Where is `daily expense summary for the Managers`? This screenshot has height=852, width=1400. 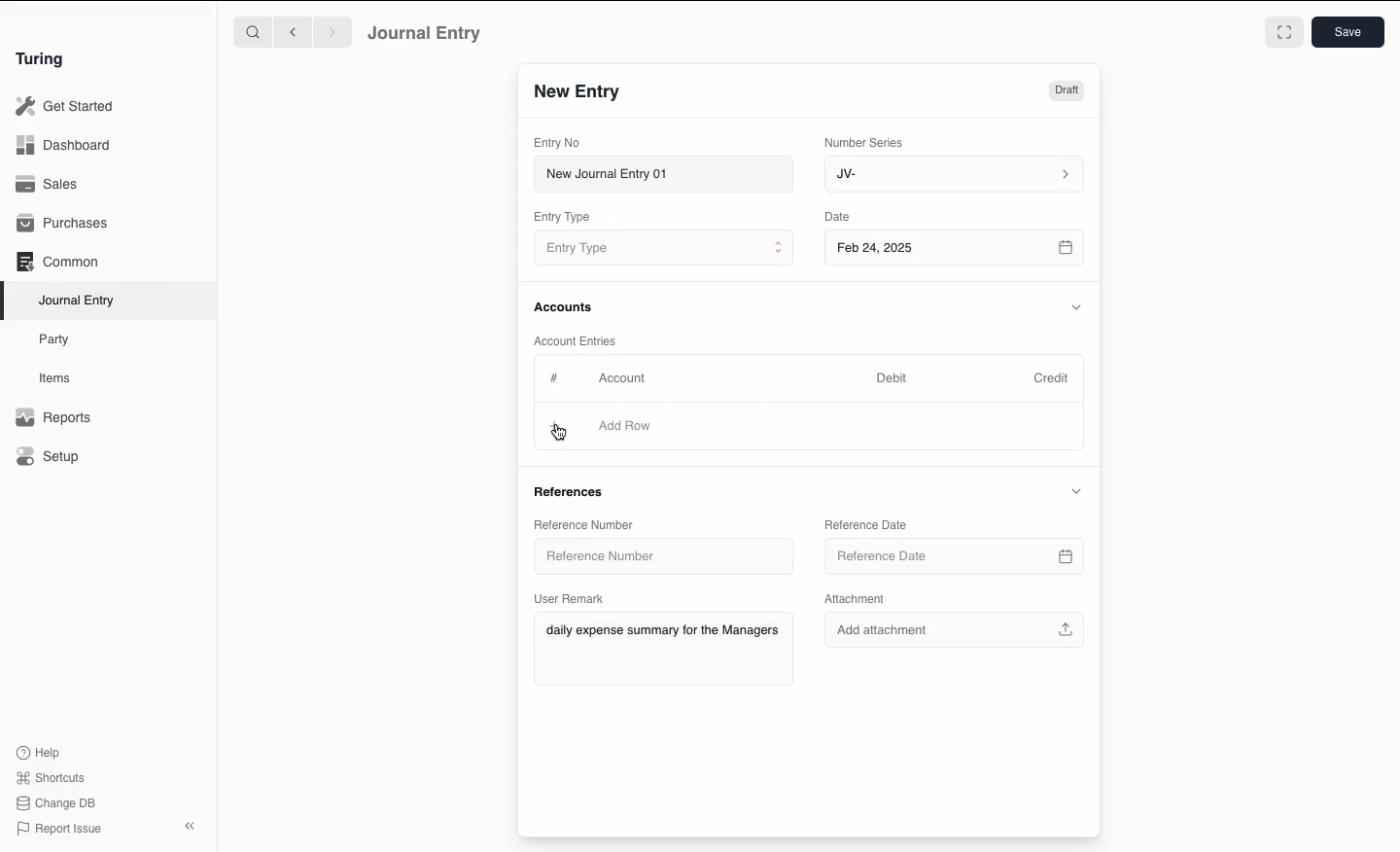
daily expense summary for the Managers is located at coordinates (663, 635).